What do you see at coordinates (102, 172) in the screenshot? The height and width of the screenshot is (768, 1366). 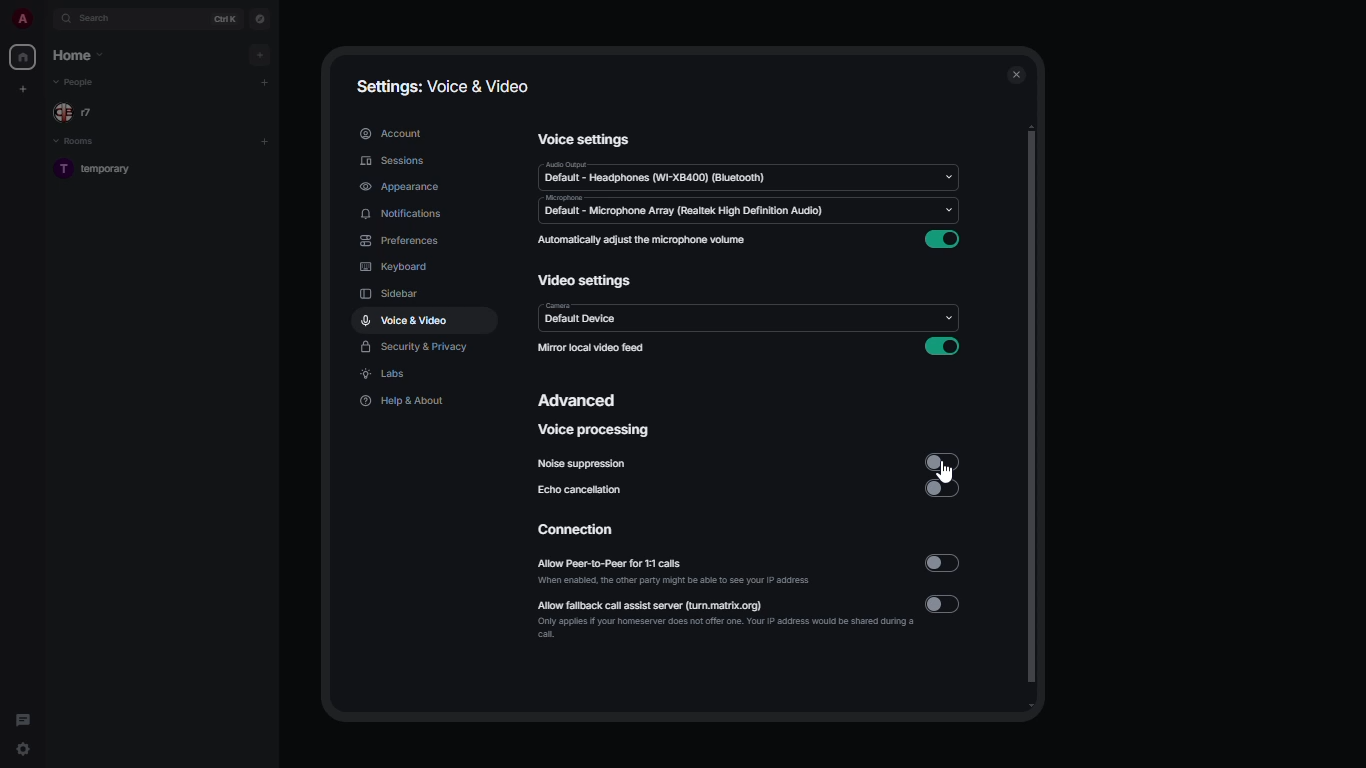 I see `room` at bounding box center [102, 172].